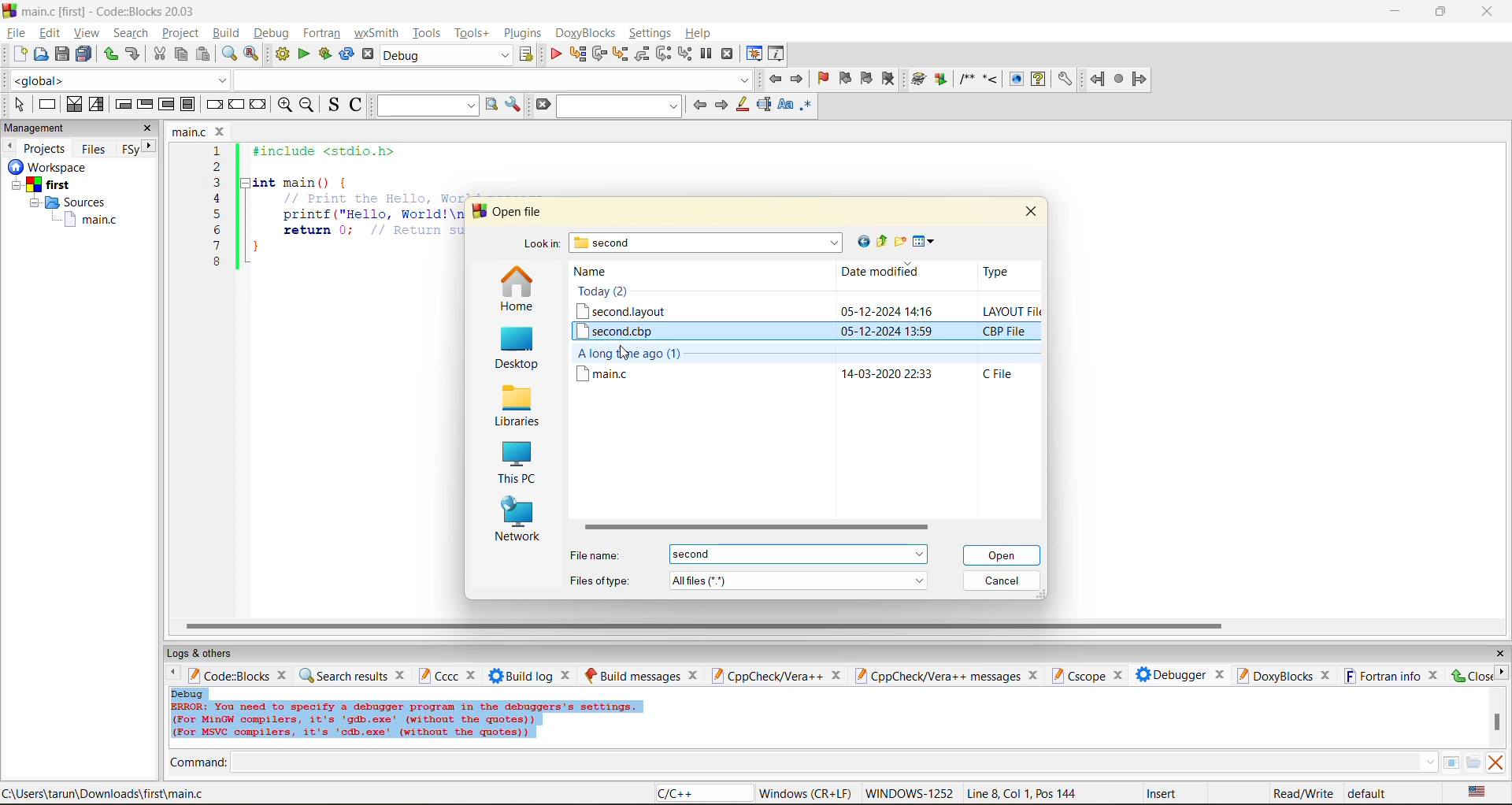 The image size is (1512, 805). What do you see at coordinates (619, 54) in the screenshot?
I see `step into` at bounding box center [619, 54].